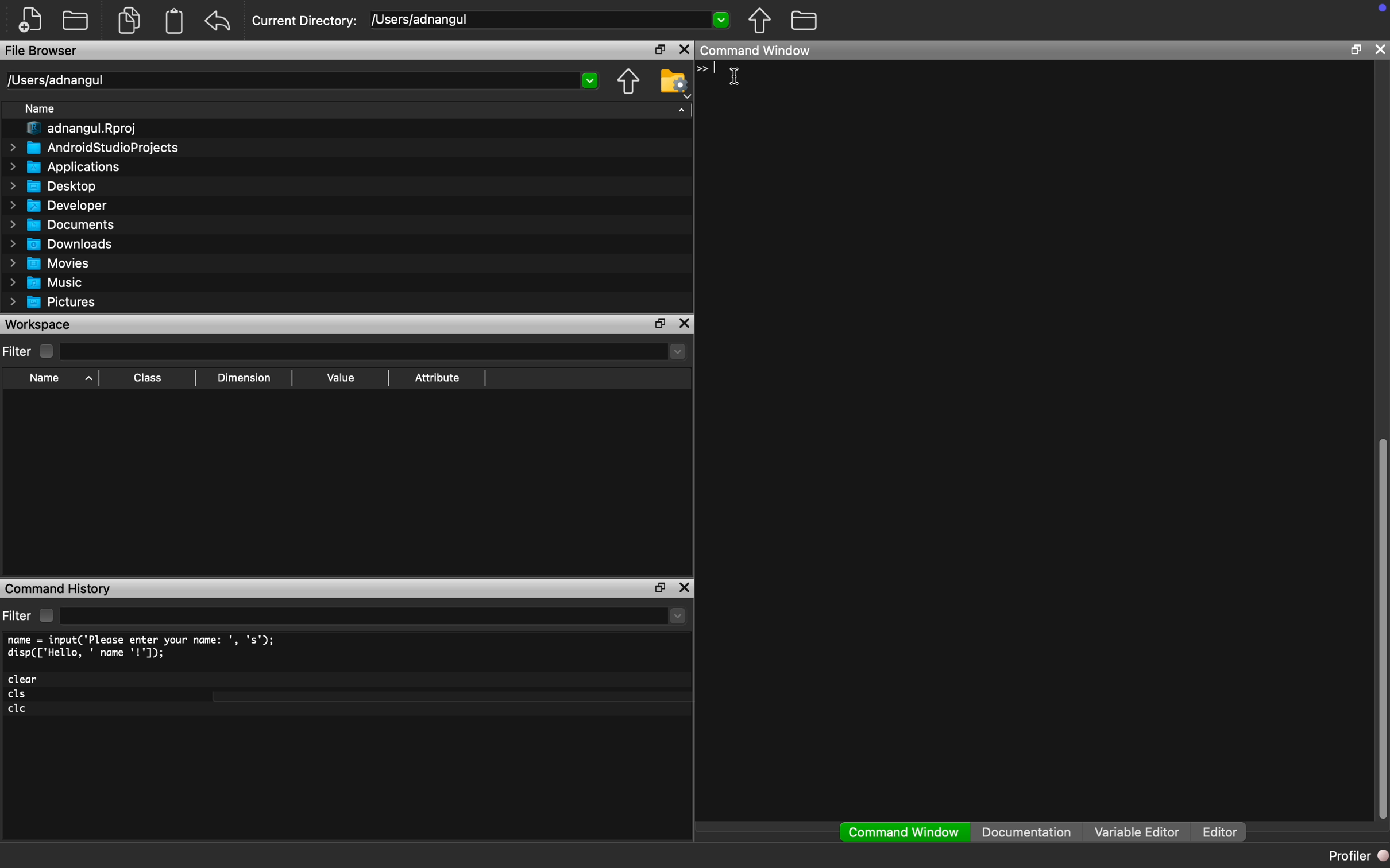  I want to click on clear, so click(24, 679).